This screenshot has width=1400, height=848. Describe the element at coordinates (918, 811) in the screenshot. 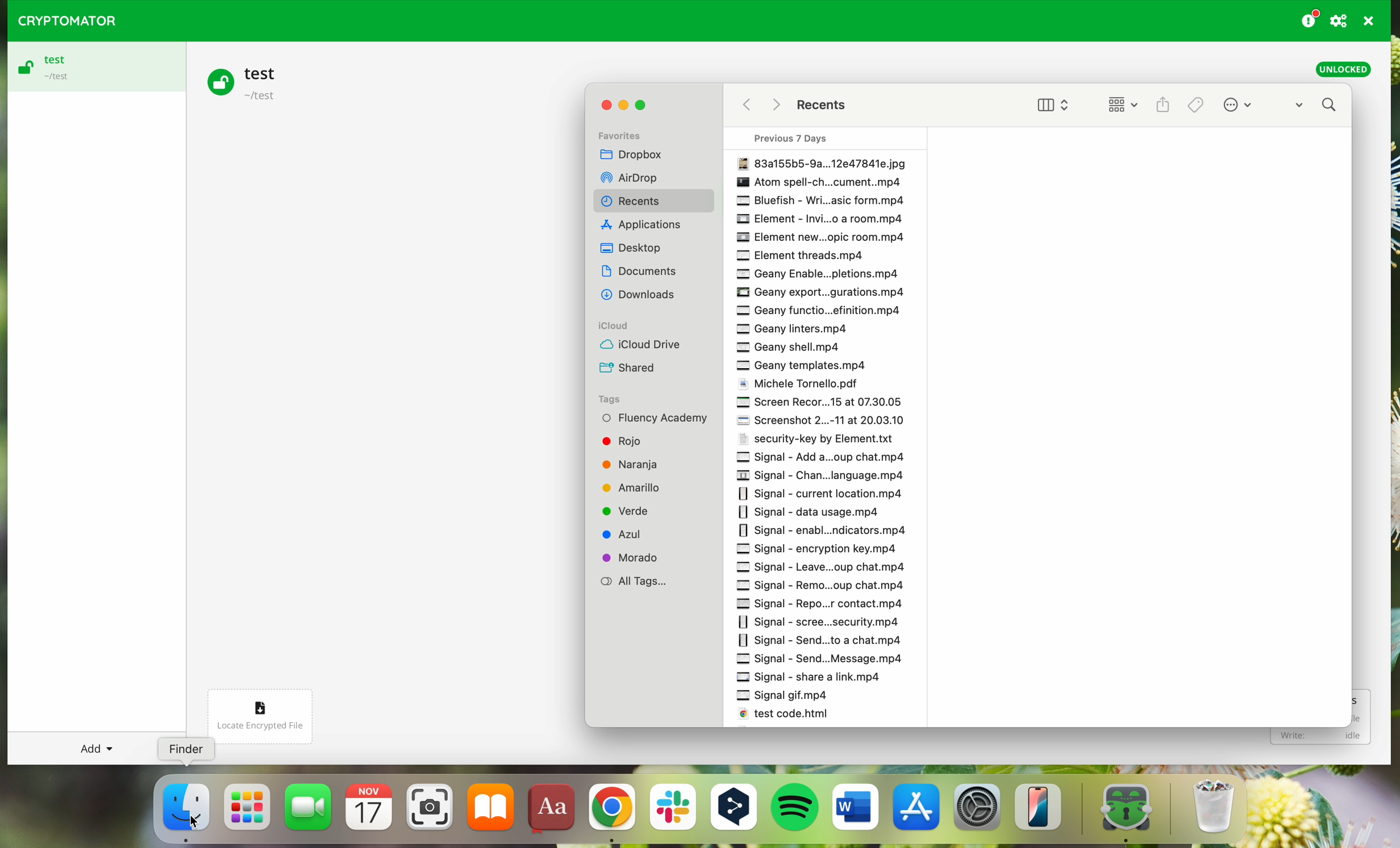

I see `Appstore` at that location.